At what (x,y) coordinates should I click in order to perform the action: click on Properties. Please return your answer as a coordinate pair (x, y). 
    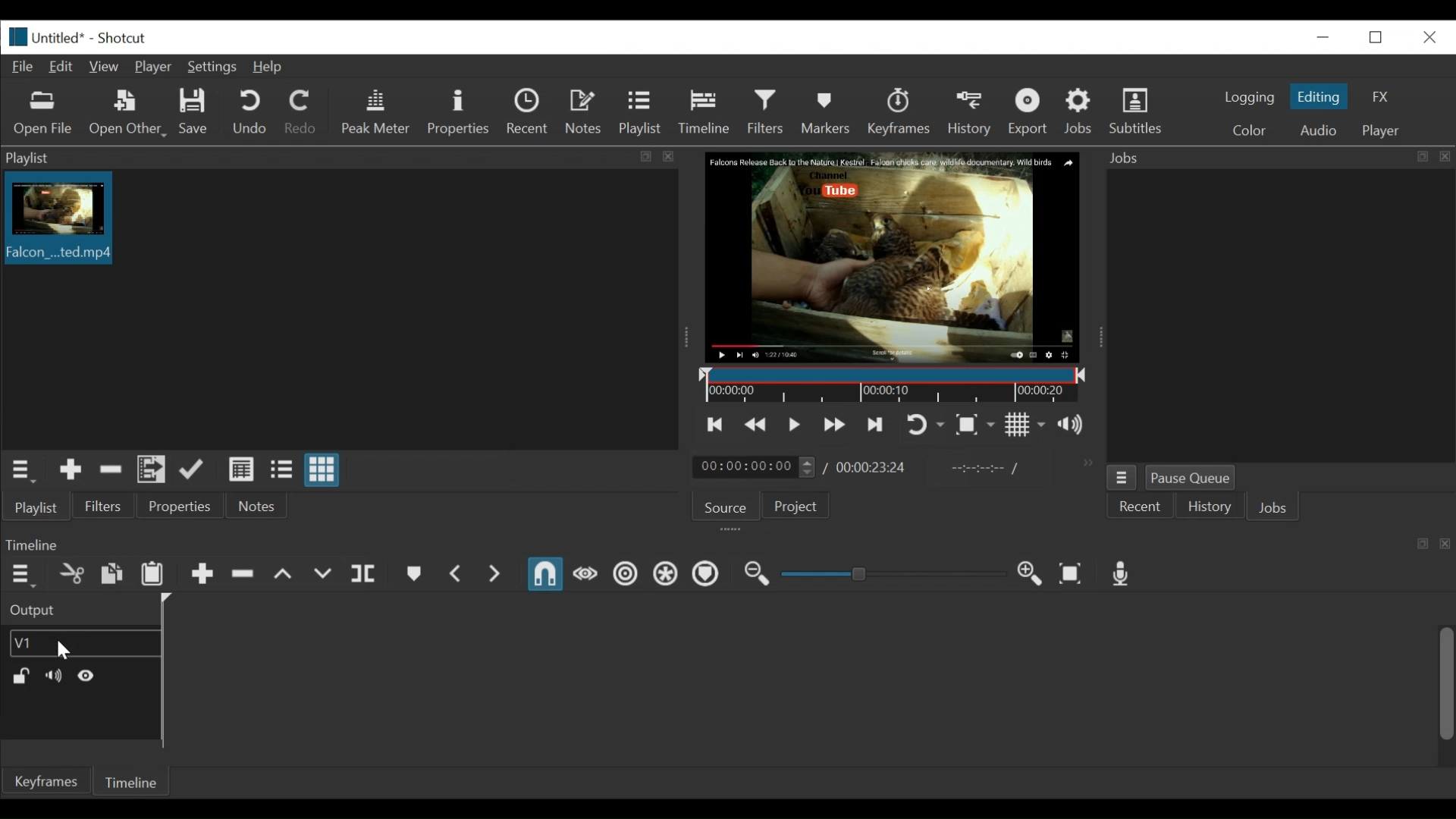
    Looking at the image, I should click on (179, 507).